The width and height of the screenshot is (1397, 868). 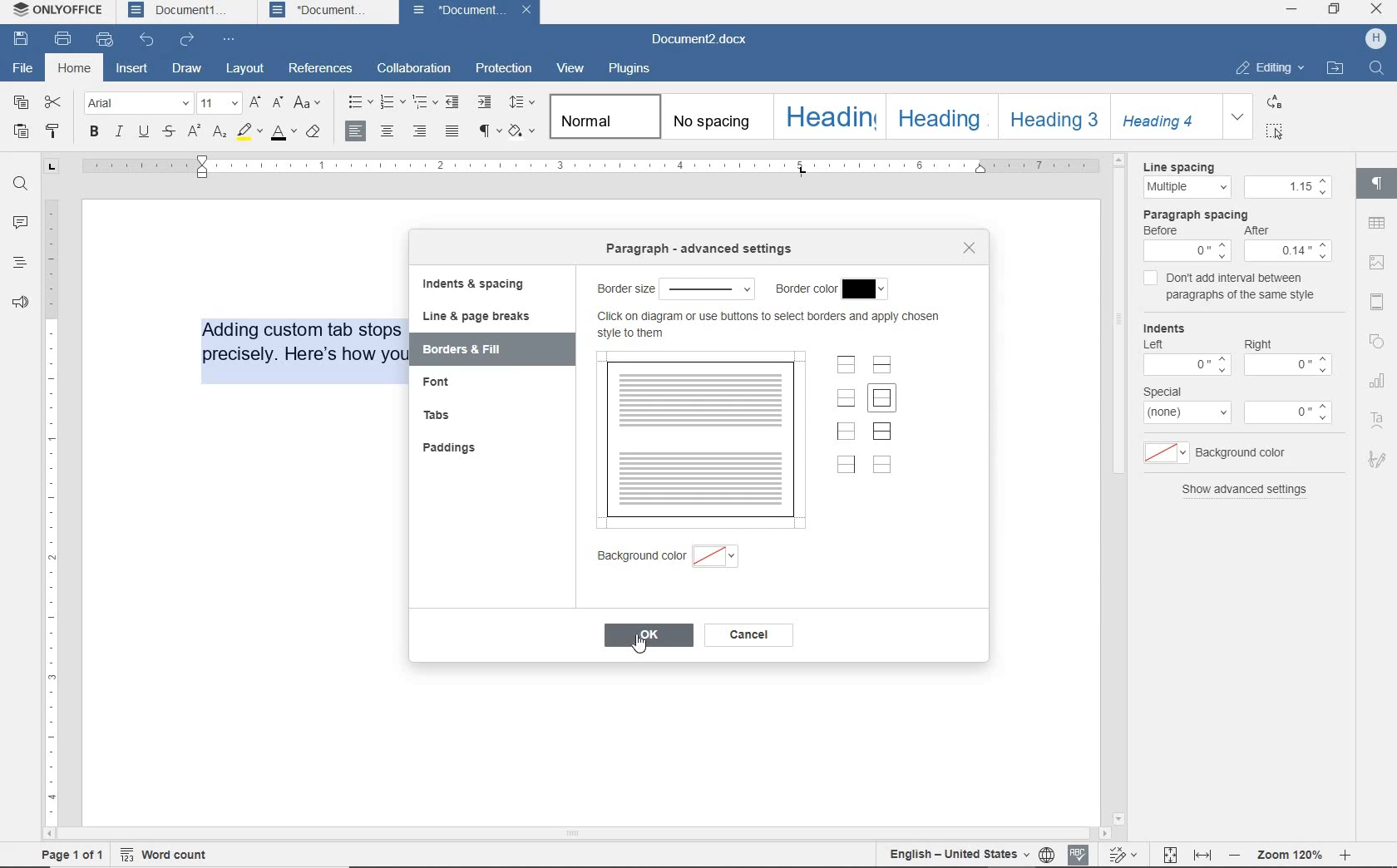 I want to click on save, so click(x=21, y=41).